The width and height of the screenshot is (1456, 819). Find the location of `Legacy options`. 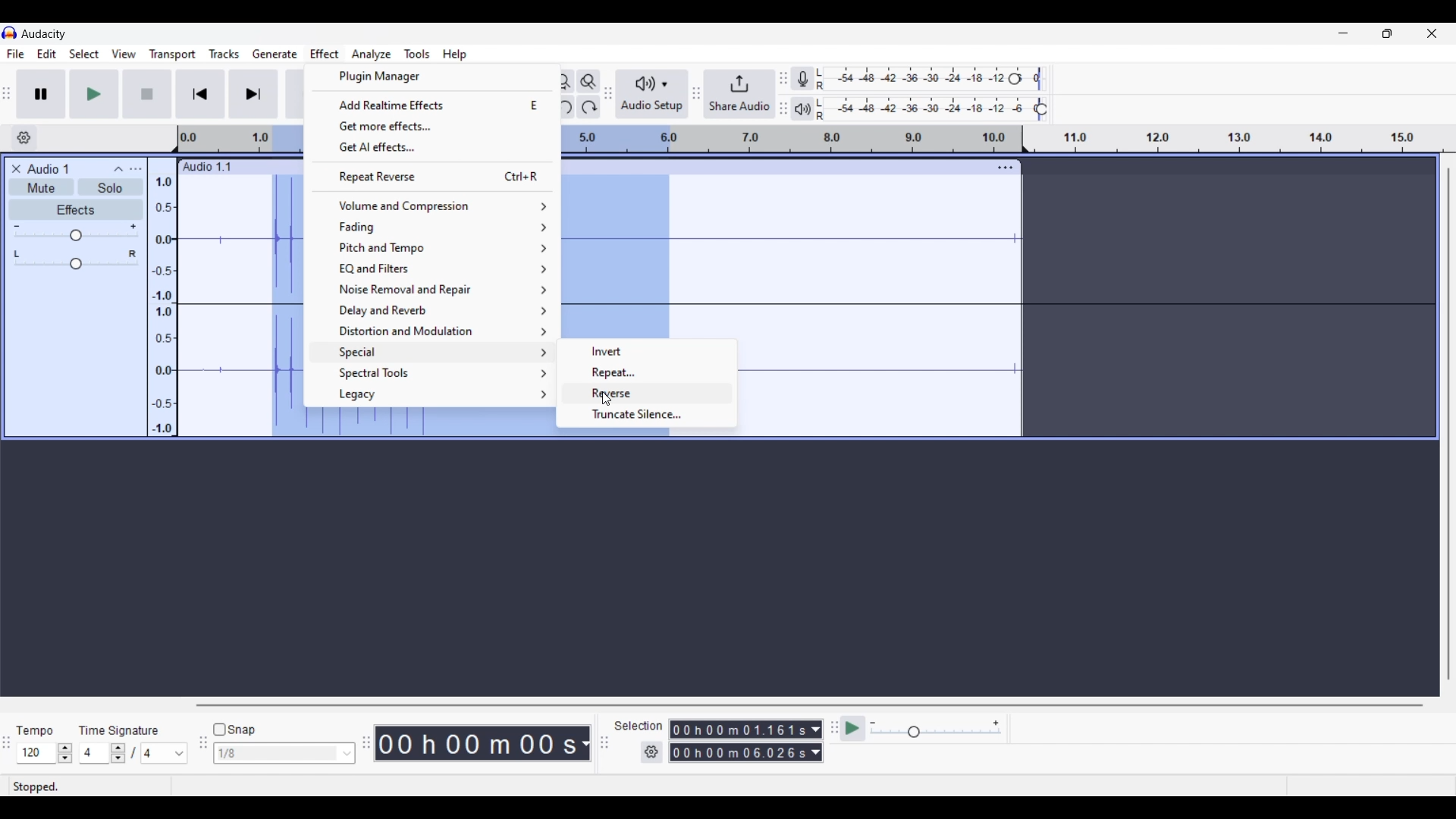

Legacy options is located at coordinates (433, 395).